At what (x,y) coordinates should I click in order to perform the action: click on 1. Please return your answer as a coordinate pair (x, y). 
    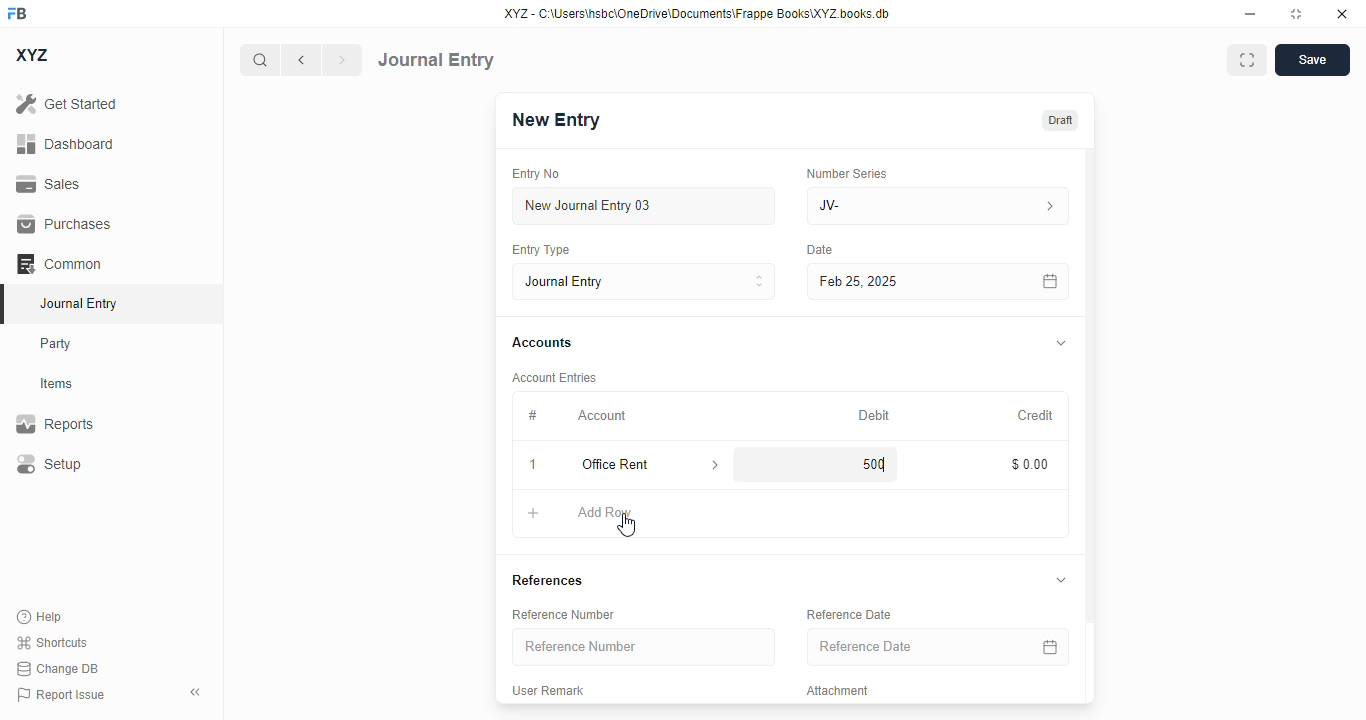
    Looking at the image, I should click on (533, 464).